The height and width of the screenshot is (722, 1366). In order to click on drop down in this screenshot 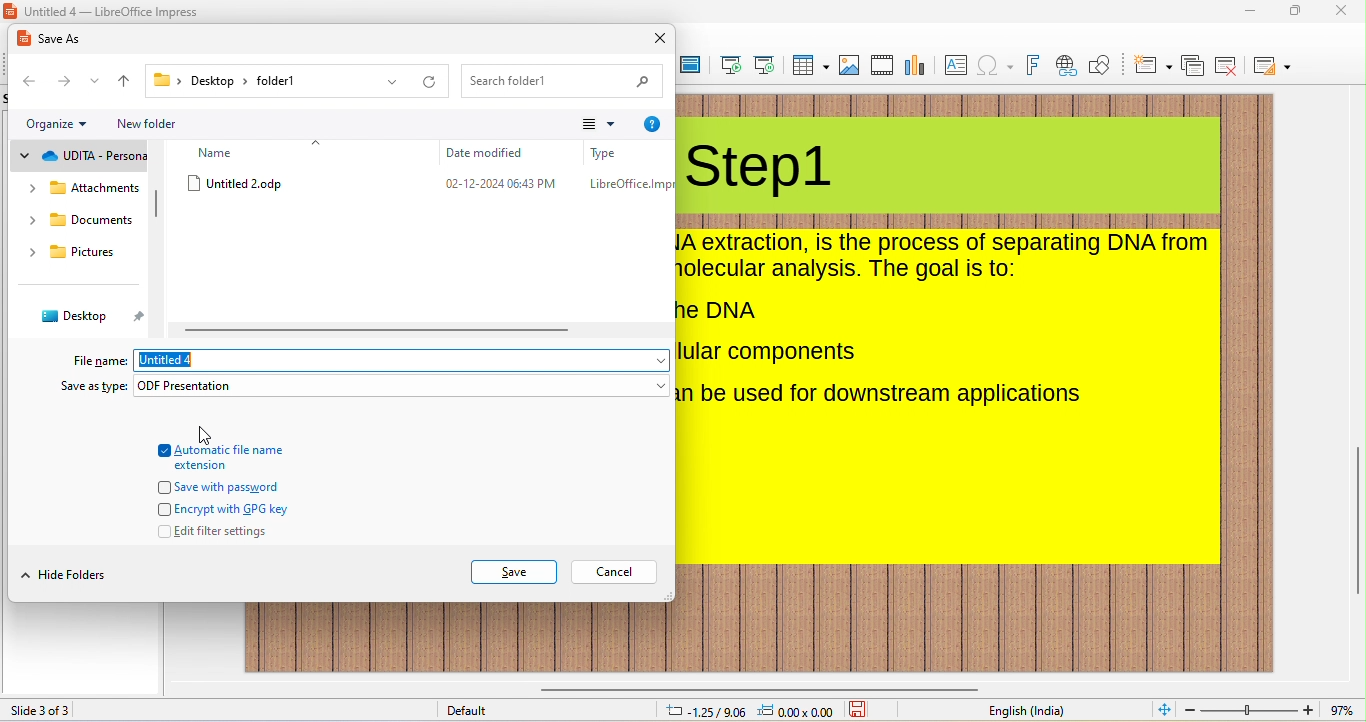, I will do `click(22, 575)`.